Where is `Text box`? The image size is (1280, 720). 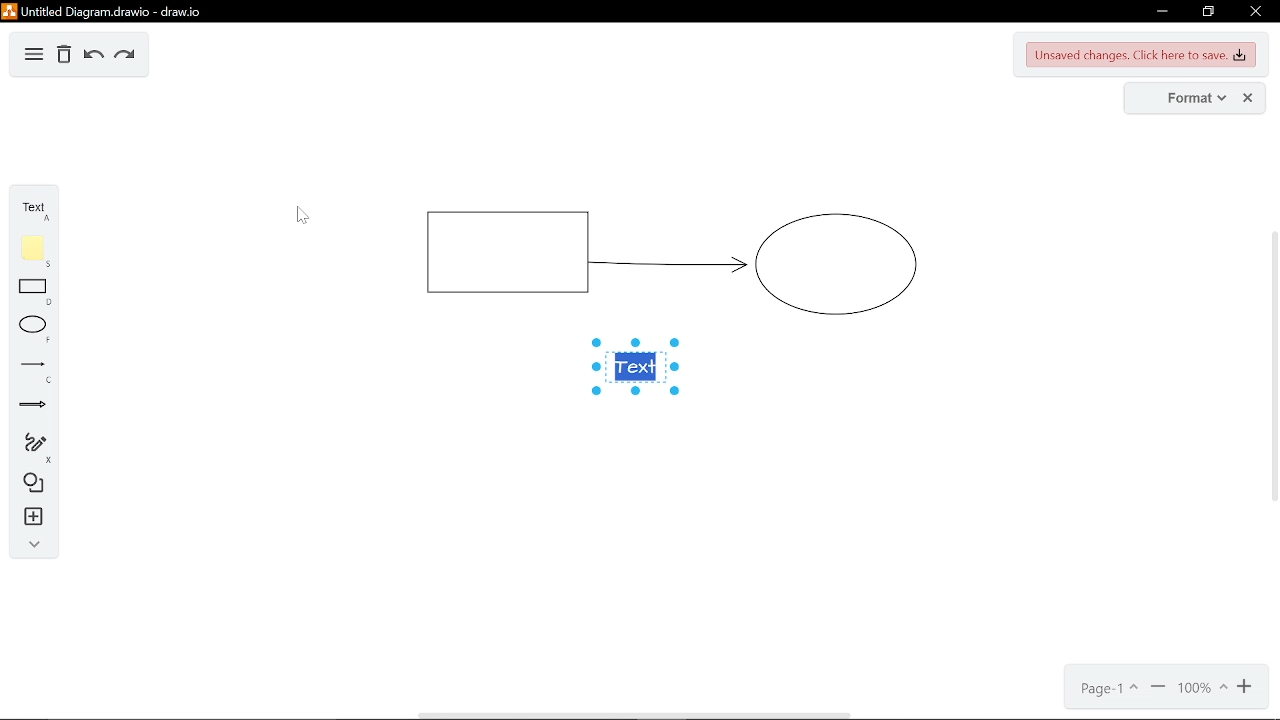
Text box is located at coordinates (637, 369).